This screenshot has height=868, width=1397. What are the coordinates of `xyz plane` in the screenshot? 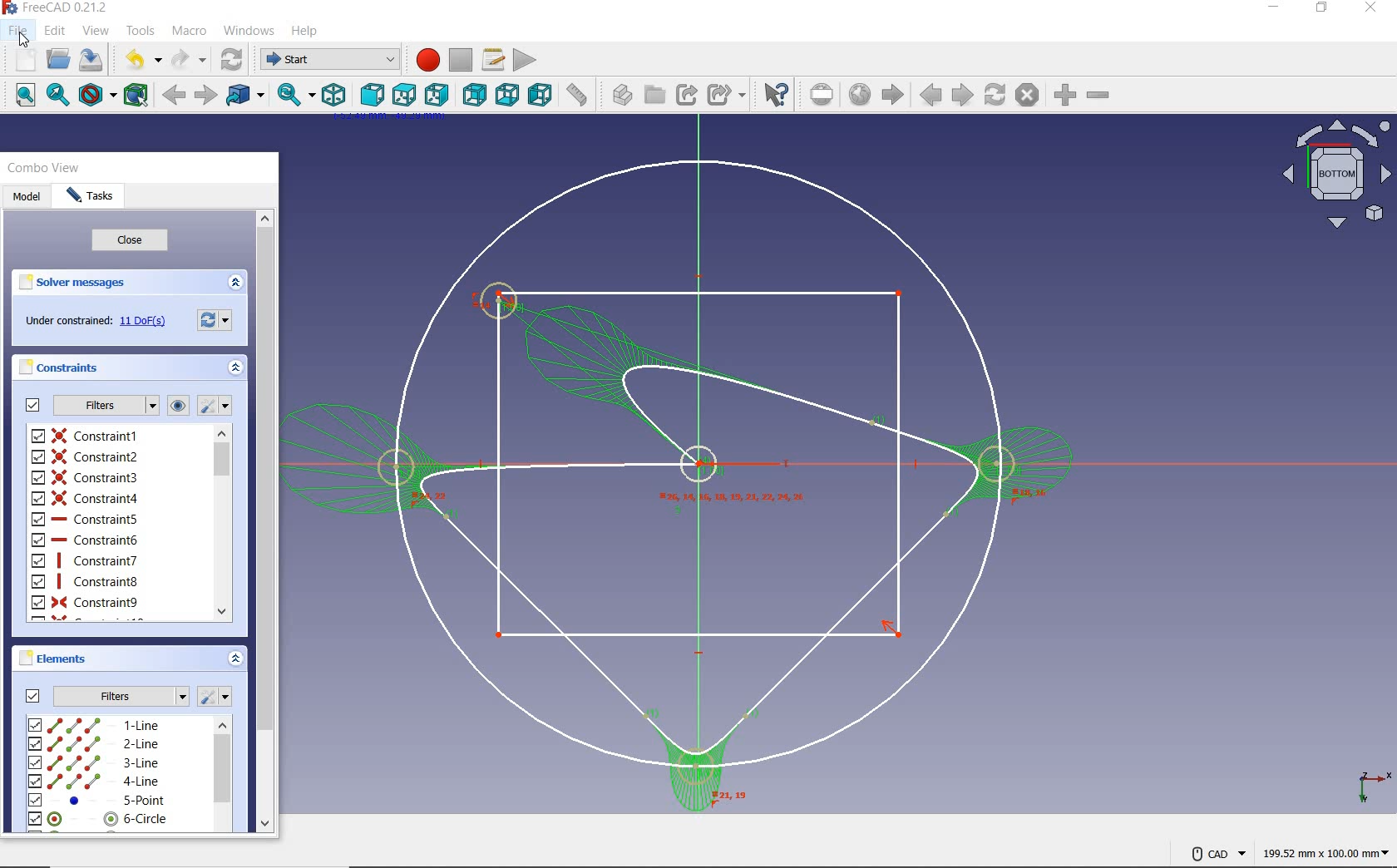 It's located at (1368, 784).